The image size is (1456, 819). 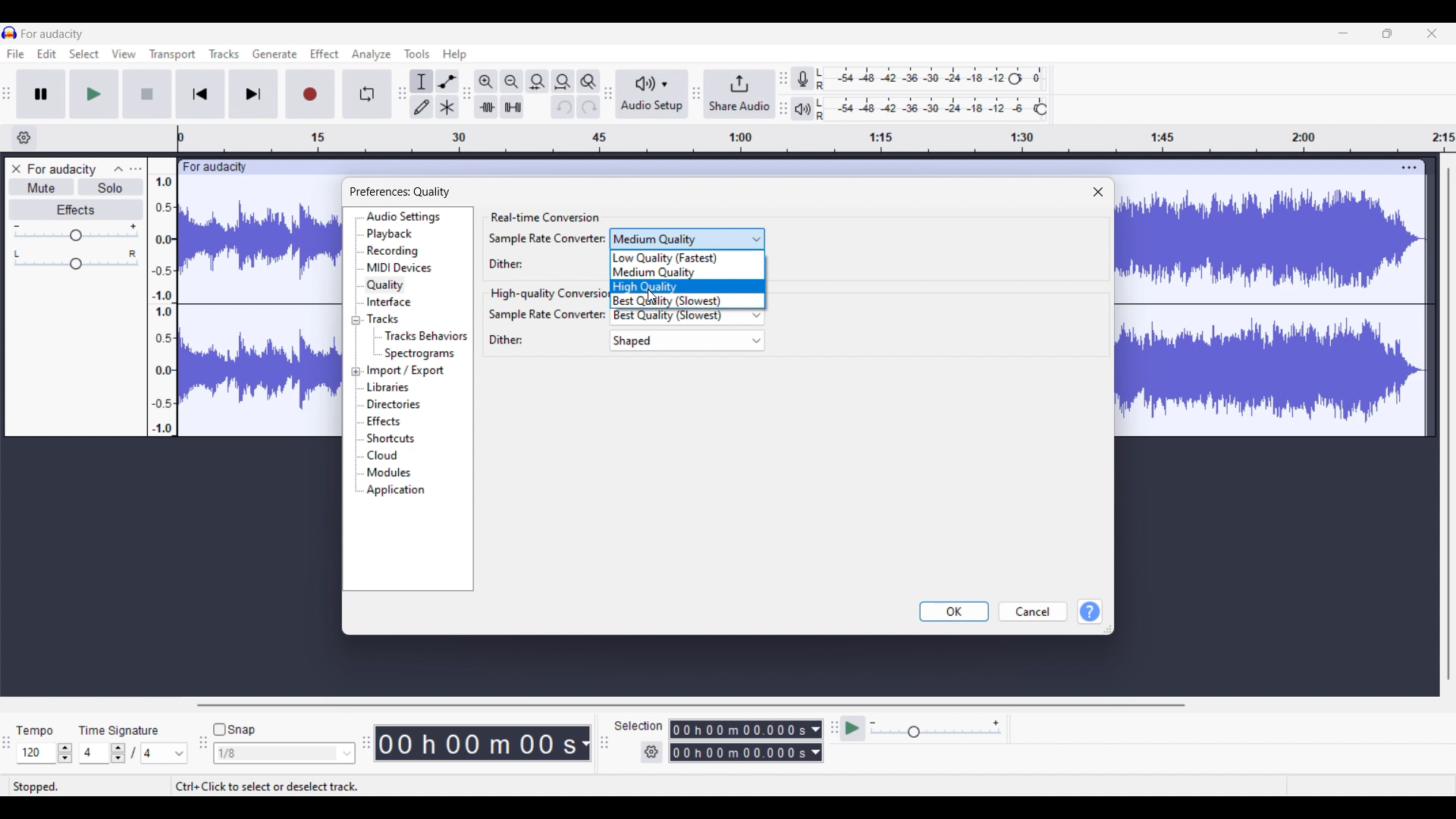 I want to click on Effects, so click(x=76, y=209).